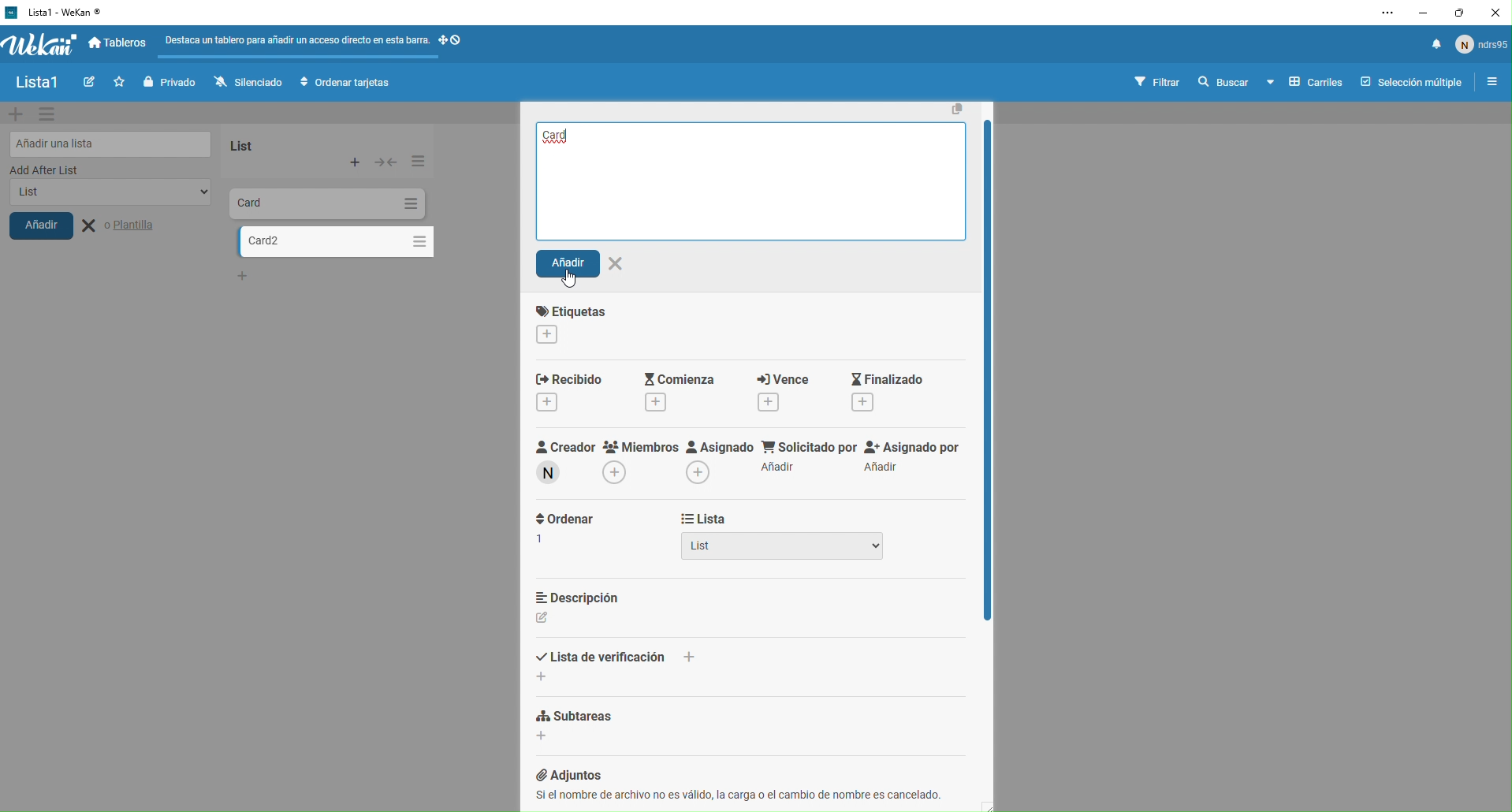 The width and height of the screenshot is (1512, 812). Describe the element at coordinates (594, 604) in the screenshot. I see `descripcion` at that location.